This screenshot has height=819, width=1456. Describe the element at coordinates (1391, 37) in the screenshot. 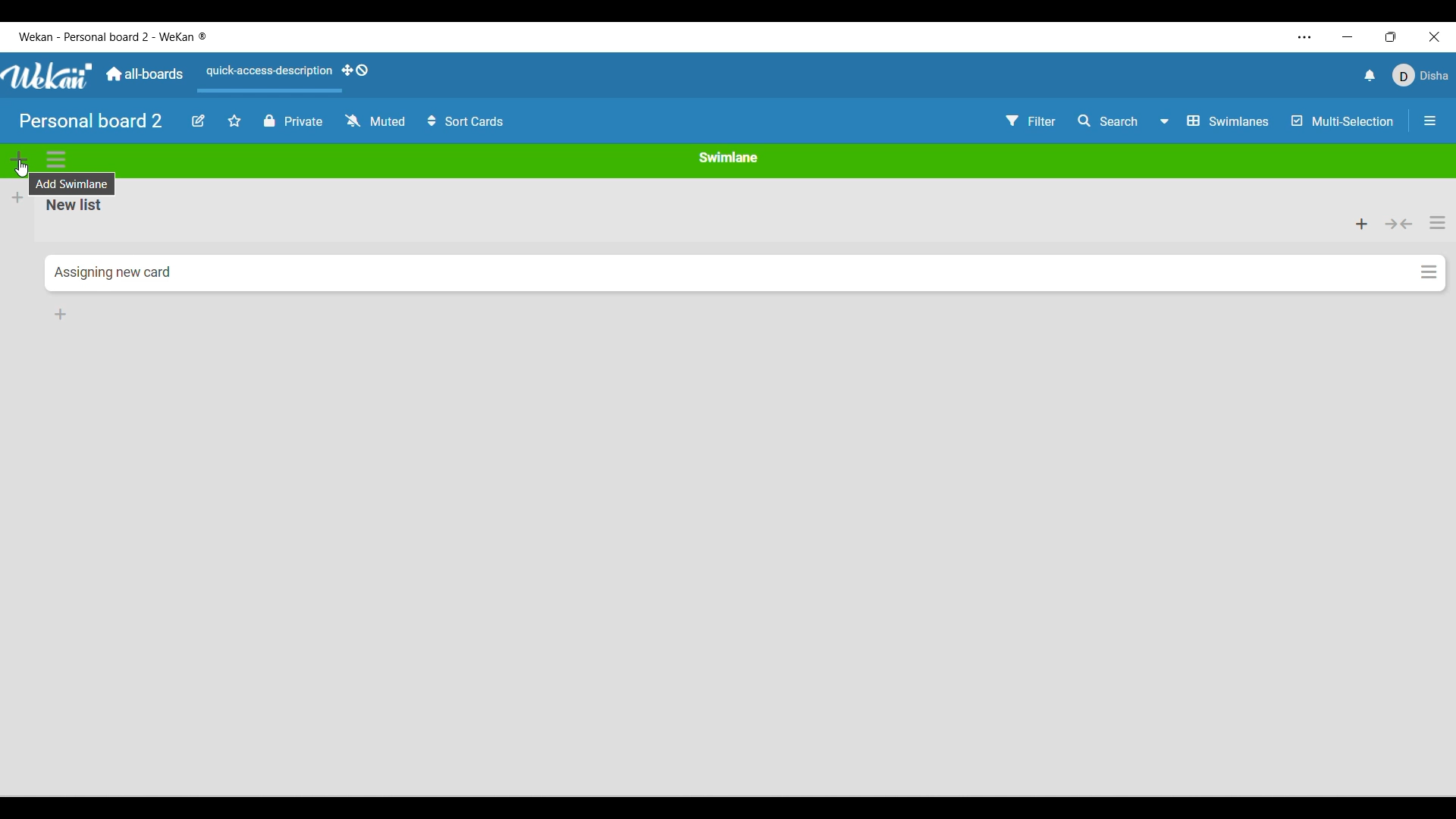

I see `Show interface in a smaller tab` at that location.